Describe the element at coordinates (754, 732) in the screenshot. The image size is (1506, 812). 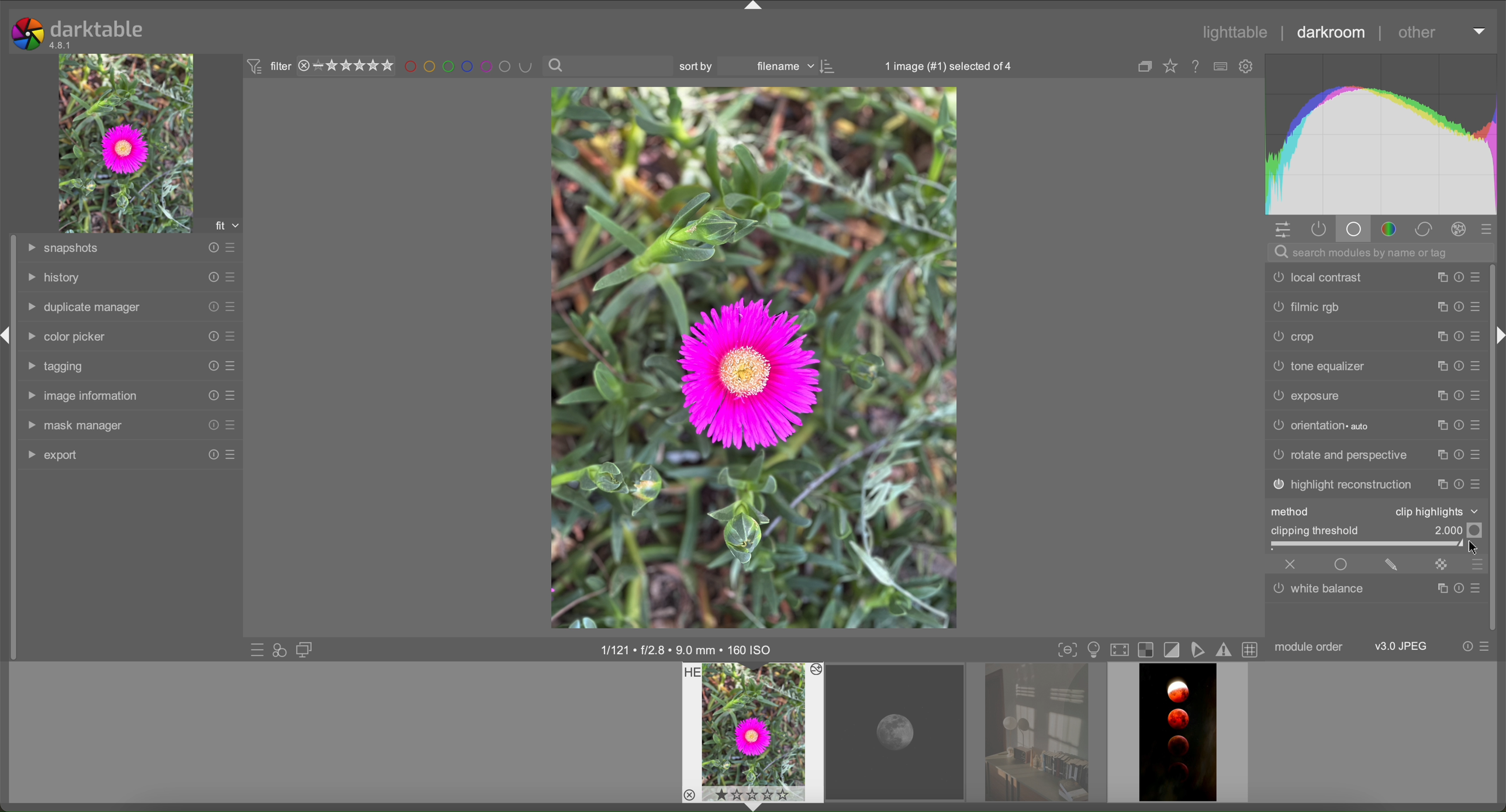
I see `preview` at that location.